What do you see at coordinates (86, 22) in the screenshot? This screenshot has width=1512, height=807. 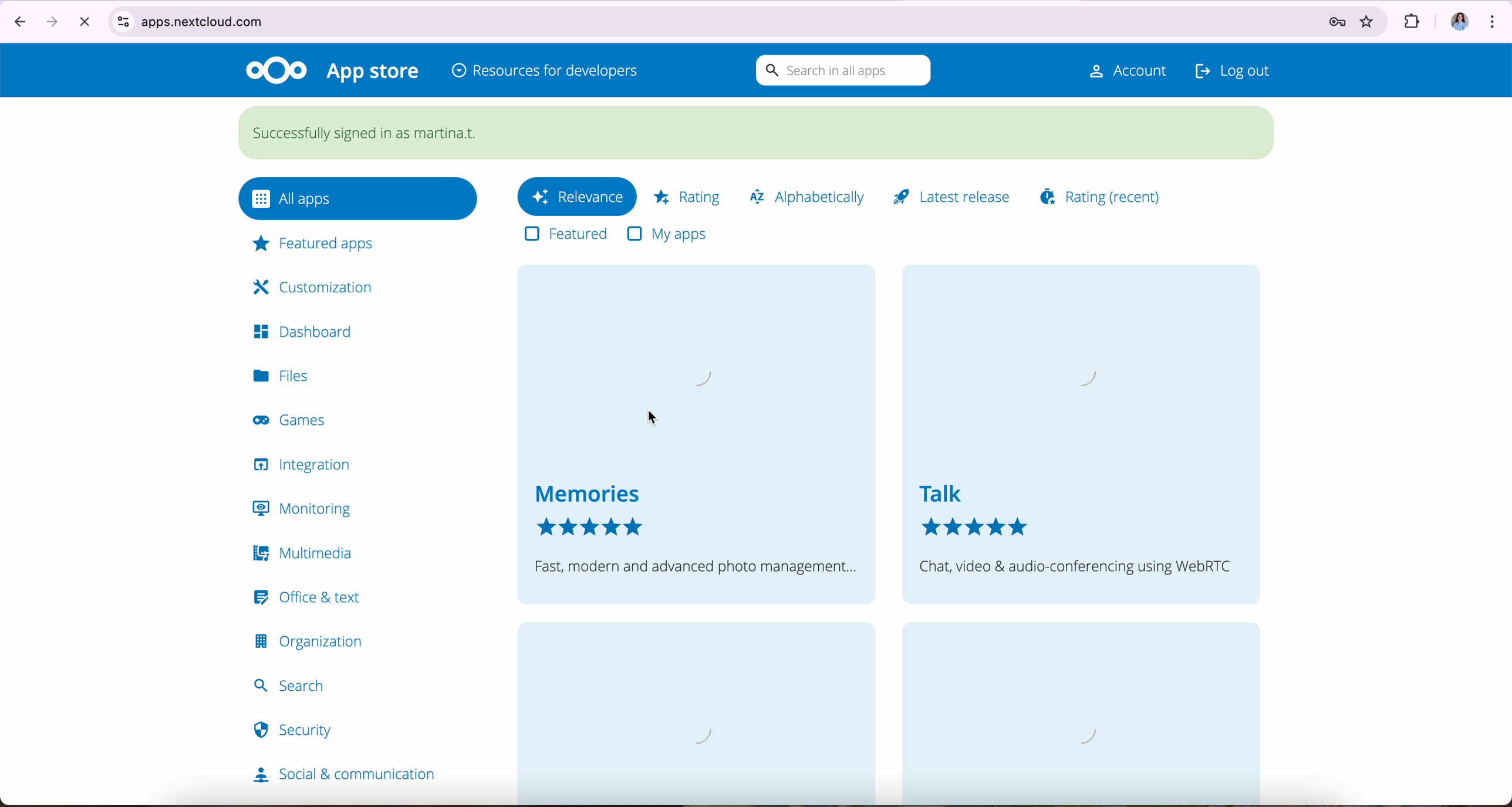 I see `cancel` at bounding box center [86, 22].